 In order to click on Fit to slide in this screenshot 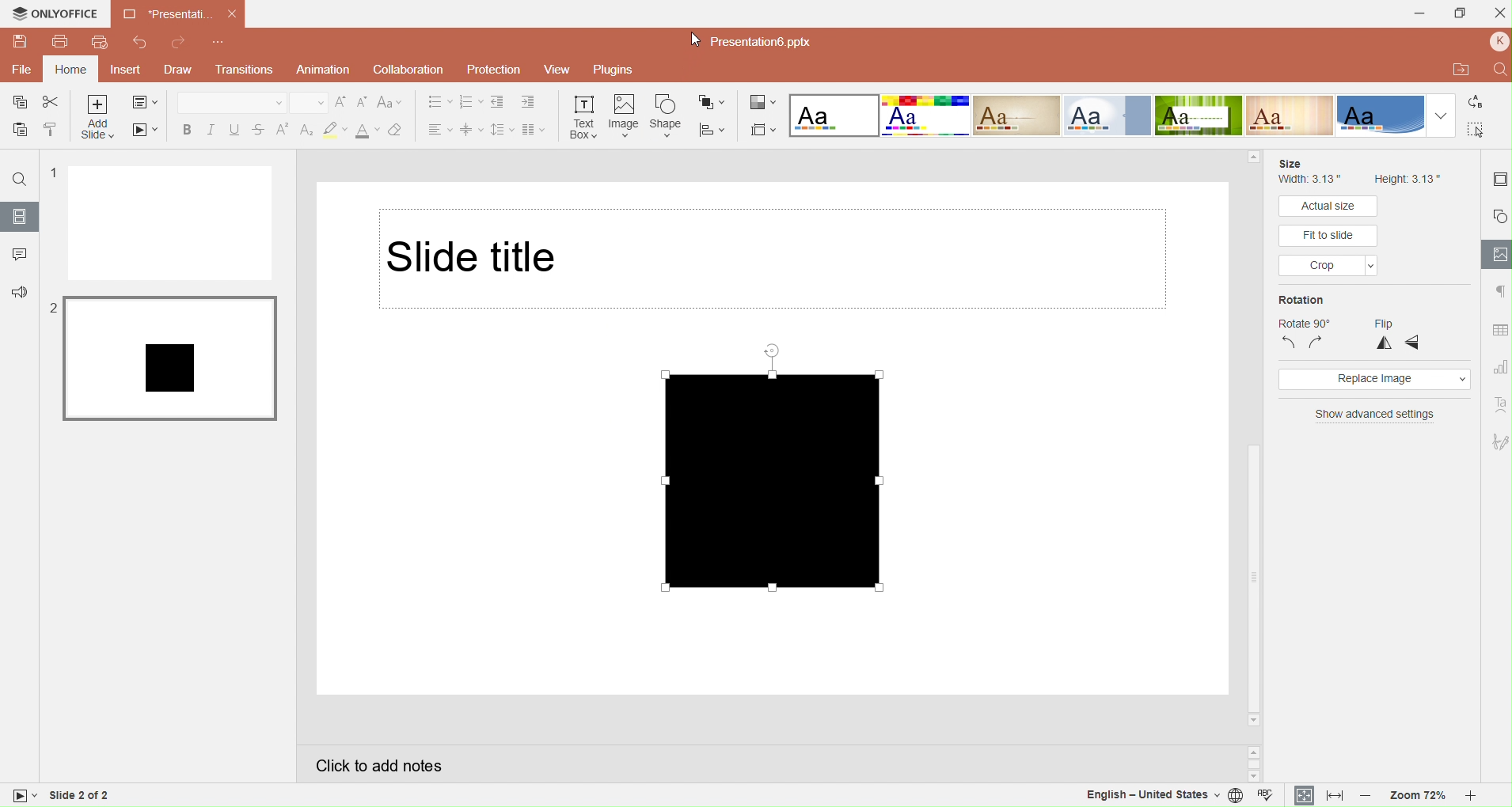, I will do `click(1303, 795)`.